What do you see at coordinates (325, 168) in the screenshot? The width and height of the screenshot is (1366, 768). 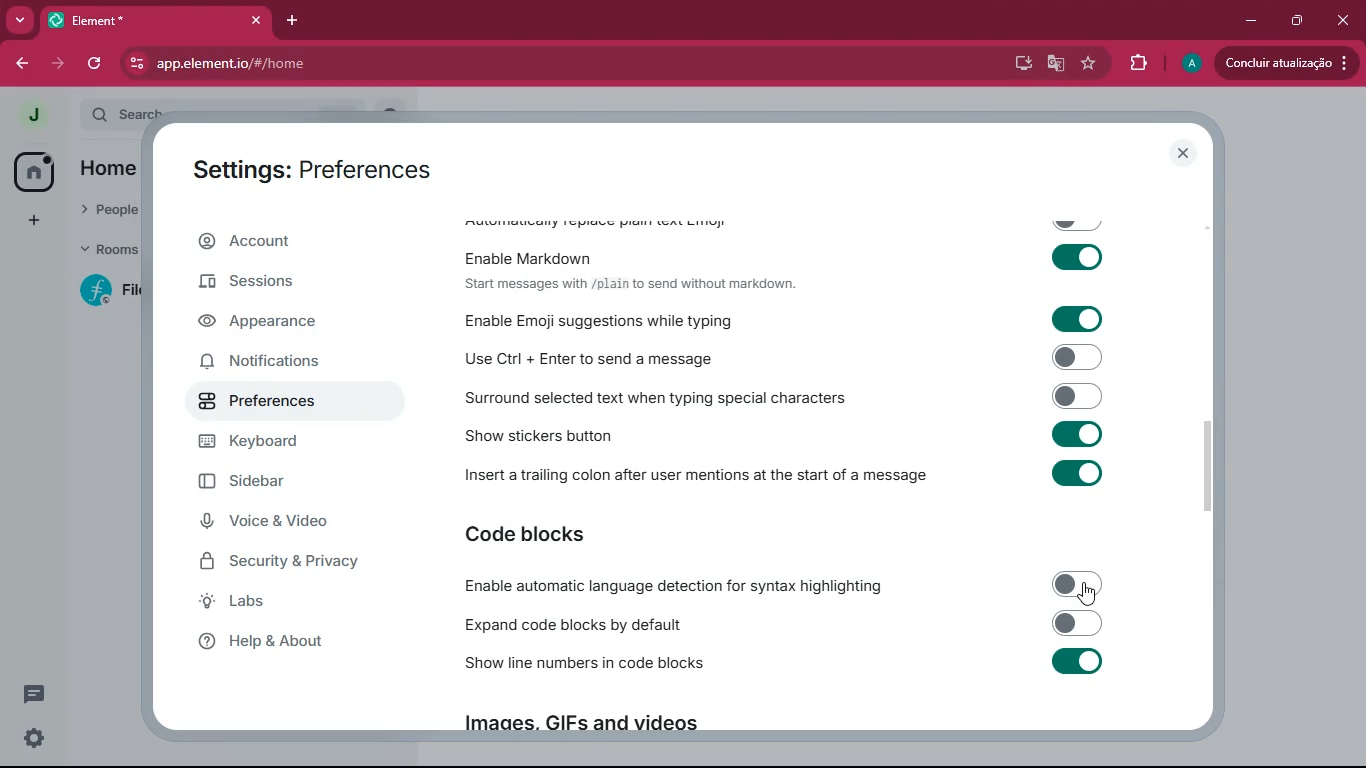 I see `settings : preferences` at bounding box center [325, 168].